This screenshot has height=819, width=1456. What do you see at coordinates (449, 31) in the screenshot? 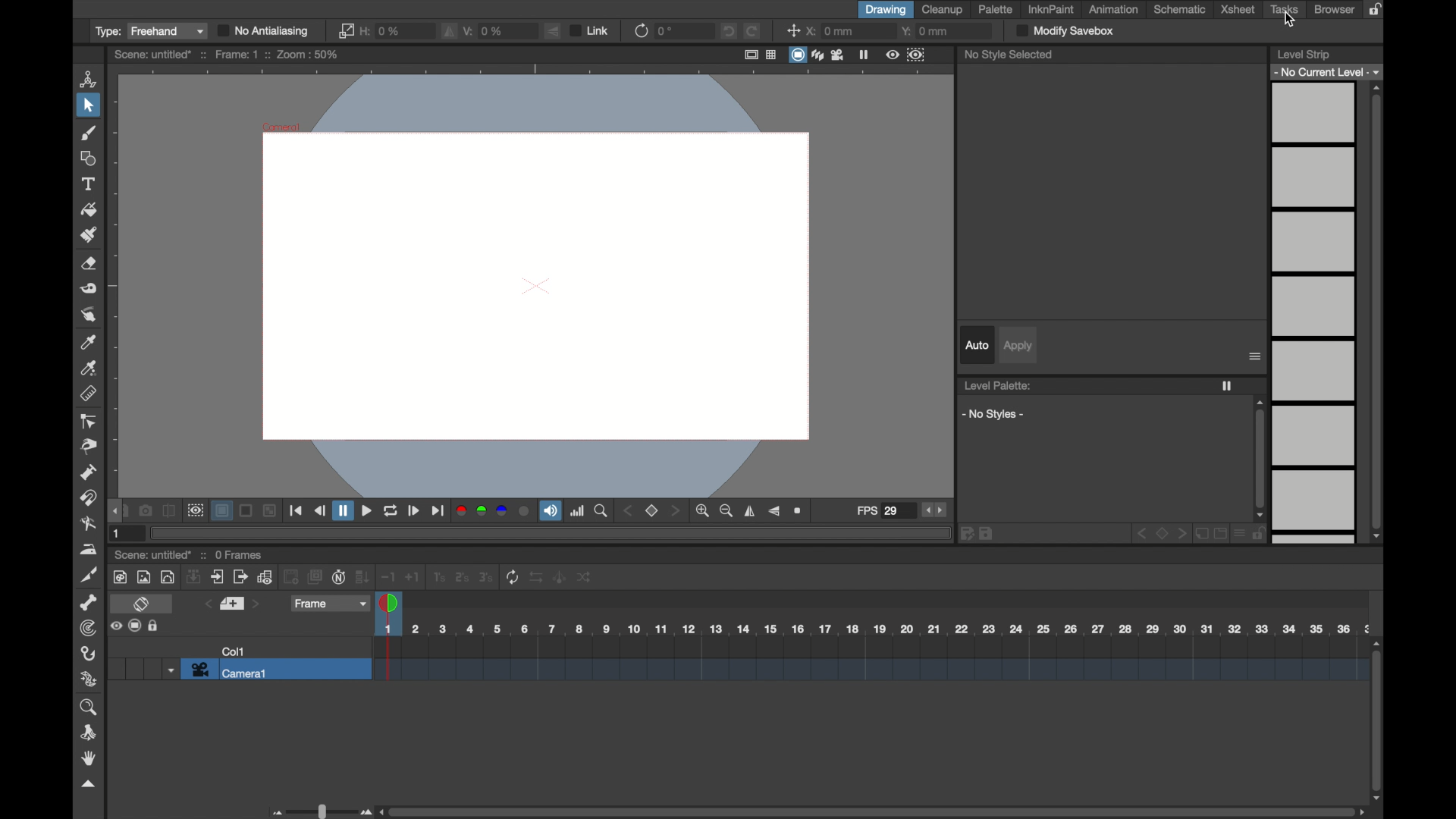
I see `flip vertically` at bounding box center [449, 31].